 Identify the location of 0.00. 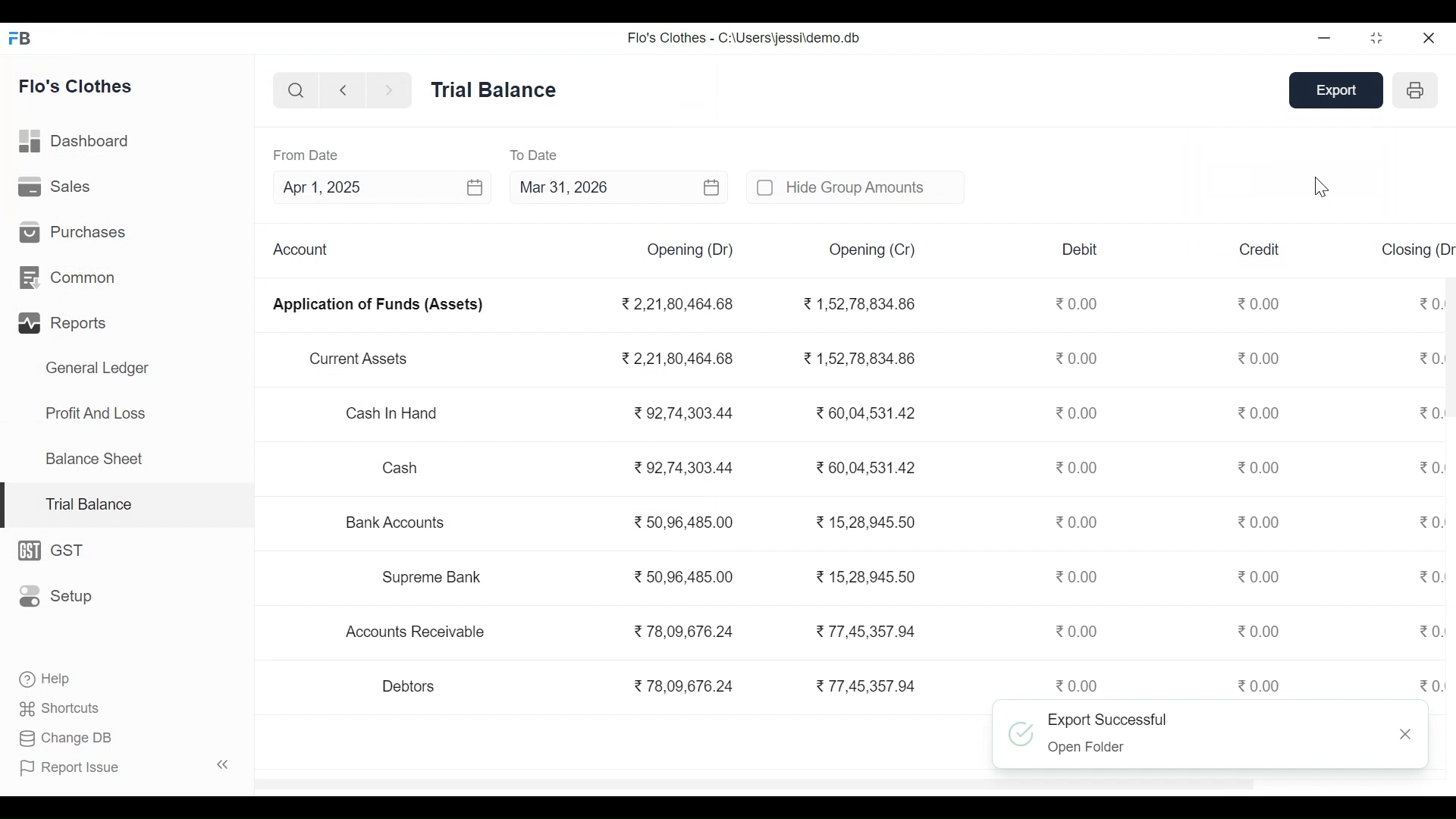
(1430, 467).